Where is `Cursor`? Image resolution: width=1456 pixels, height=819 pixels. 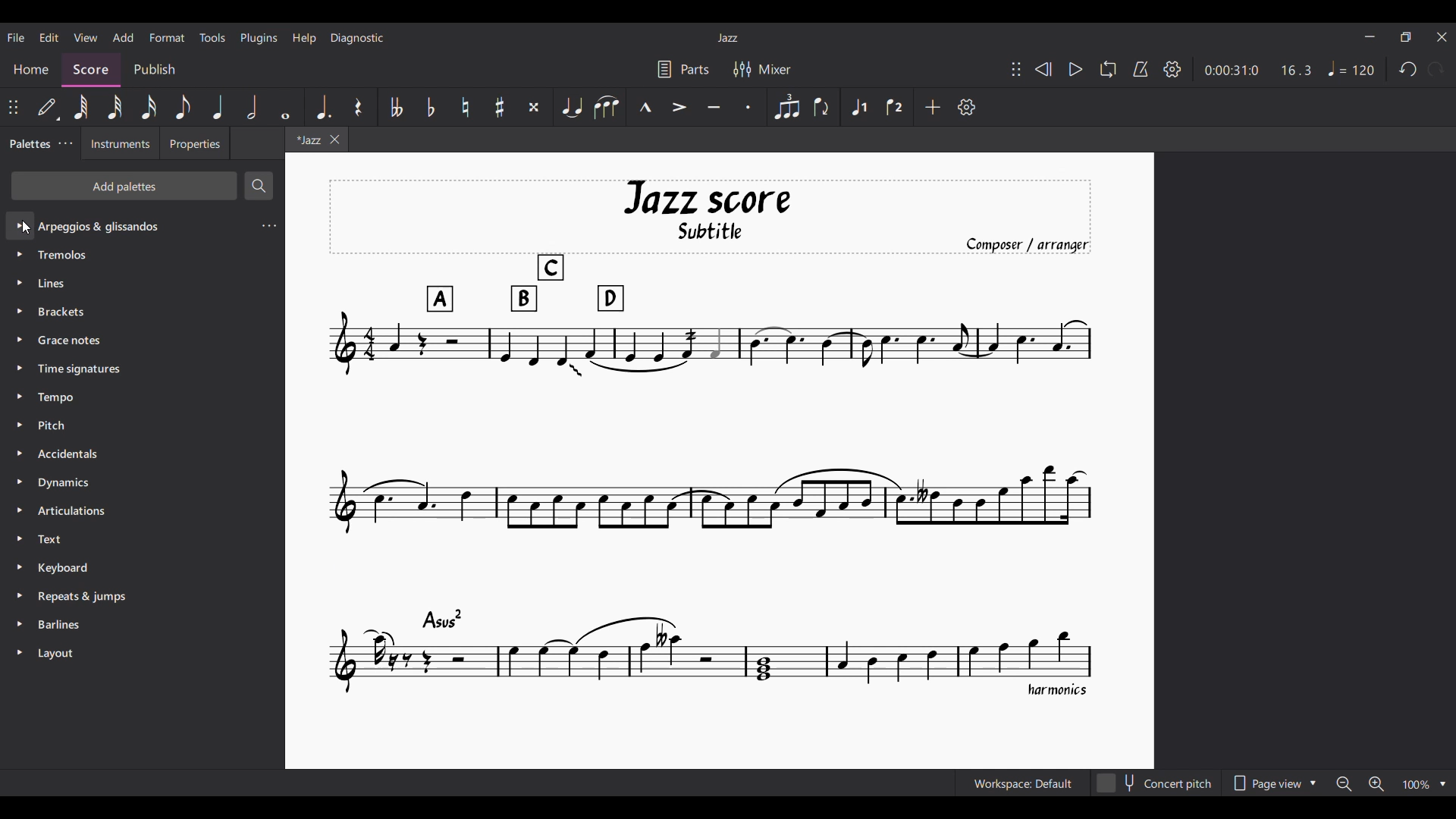 Cursor is located at coordinates (27, 228).